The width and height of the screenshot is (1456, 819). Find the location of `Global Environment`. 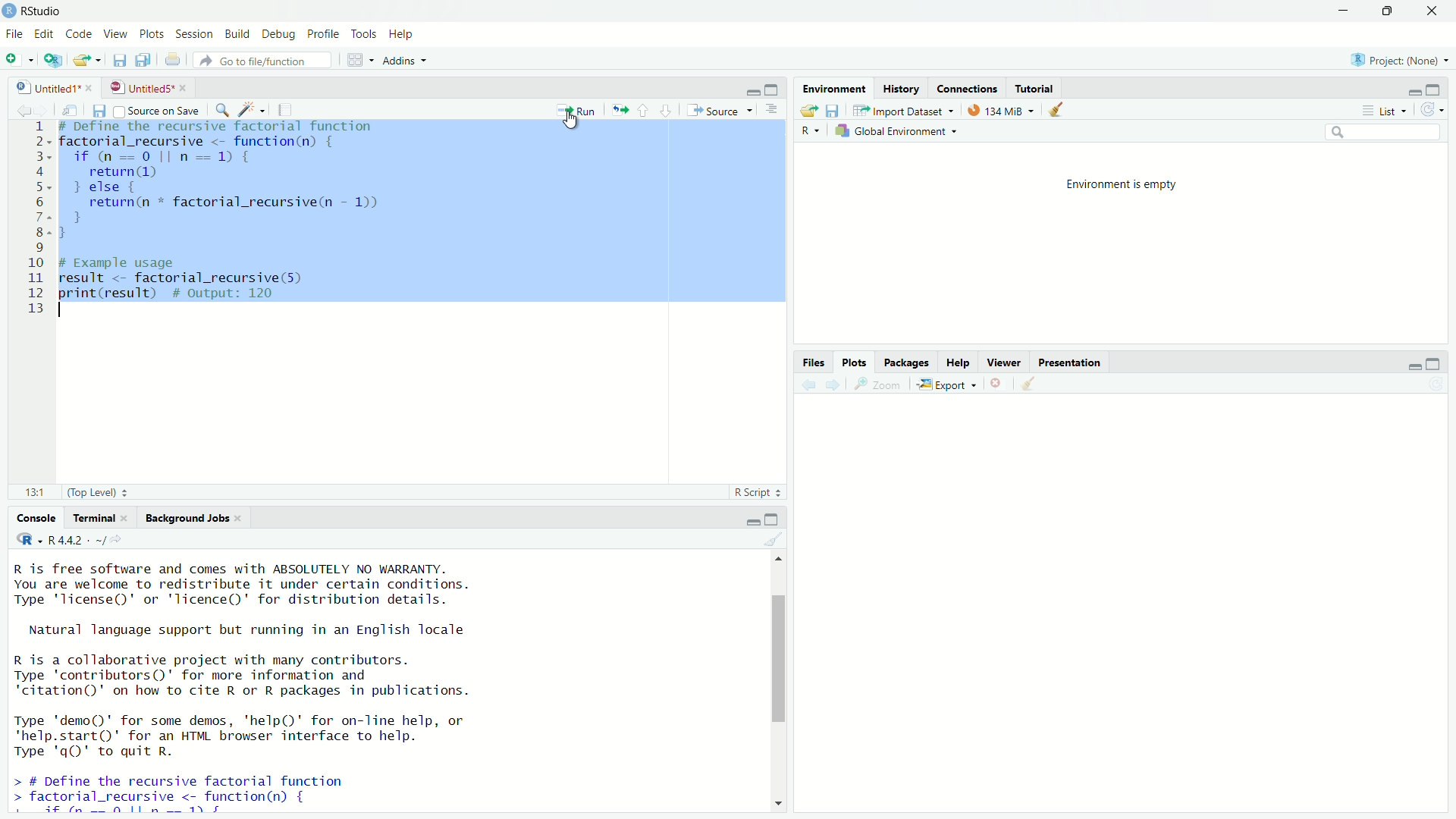

Global Environment is located at coordinates (901, 133).